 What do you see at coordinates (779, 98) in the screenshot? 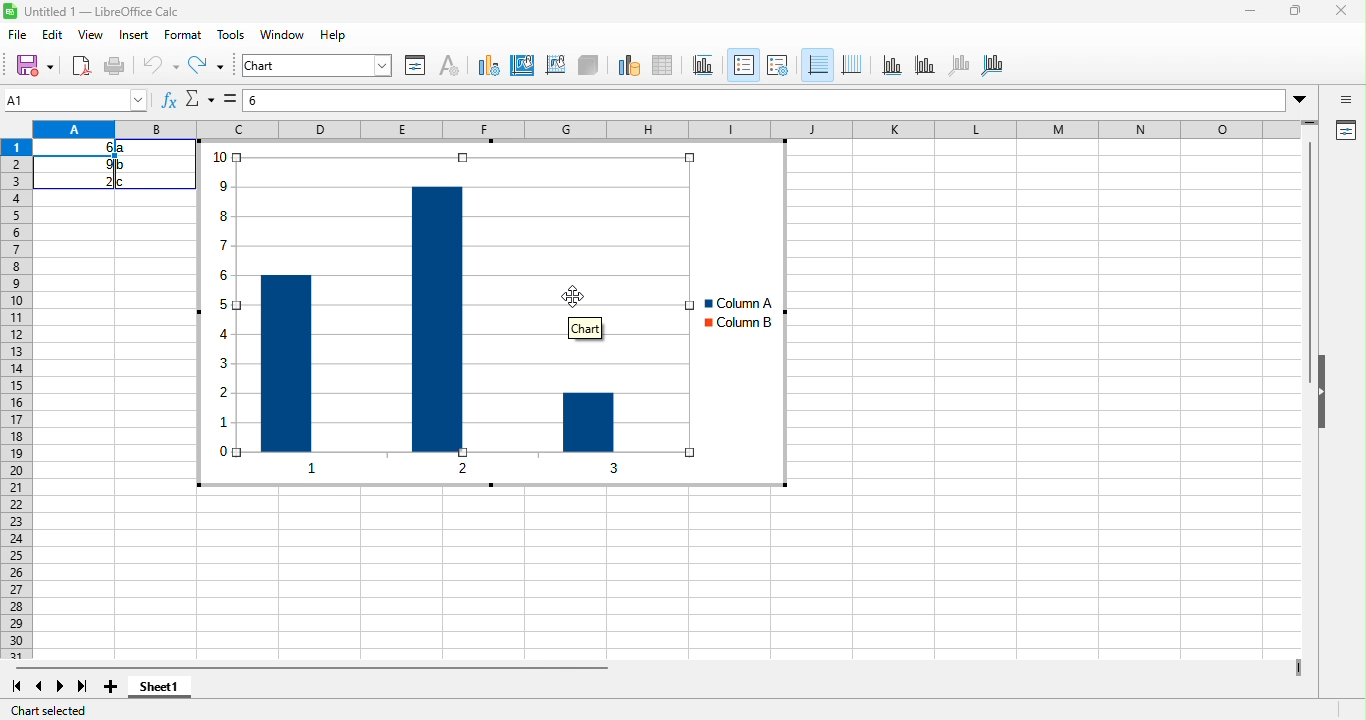
I see `formula bar` at bounding box center [779, 98].